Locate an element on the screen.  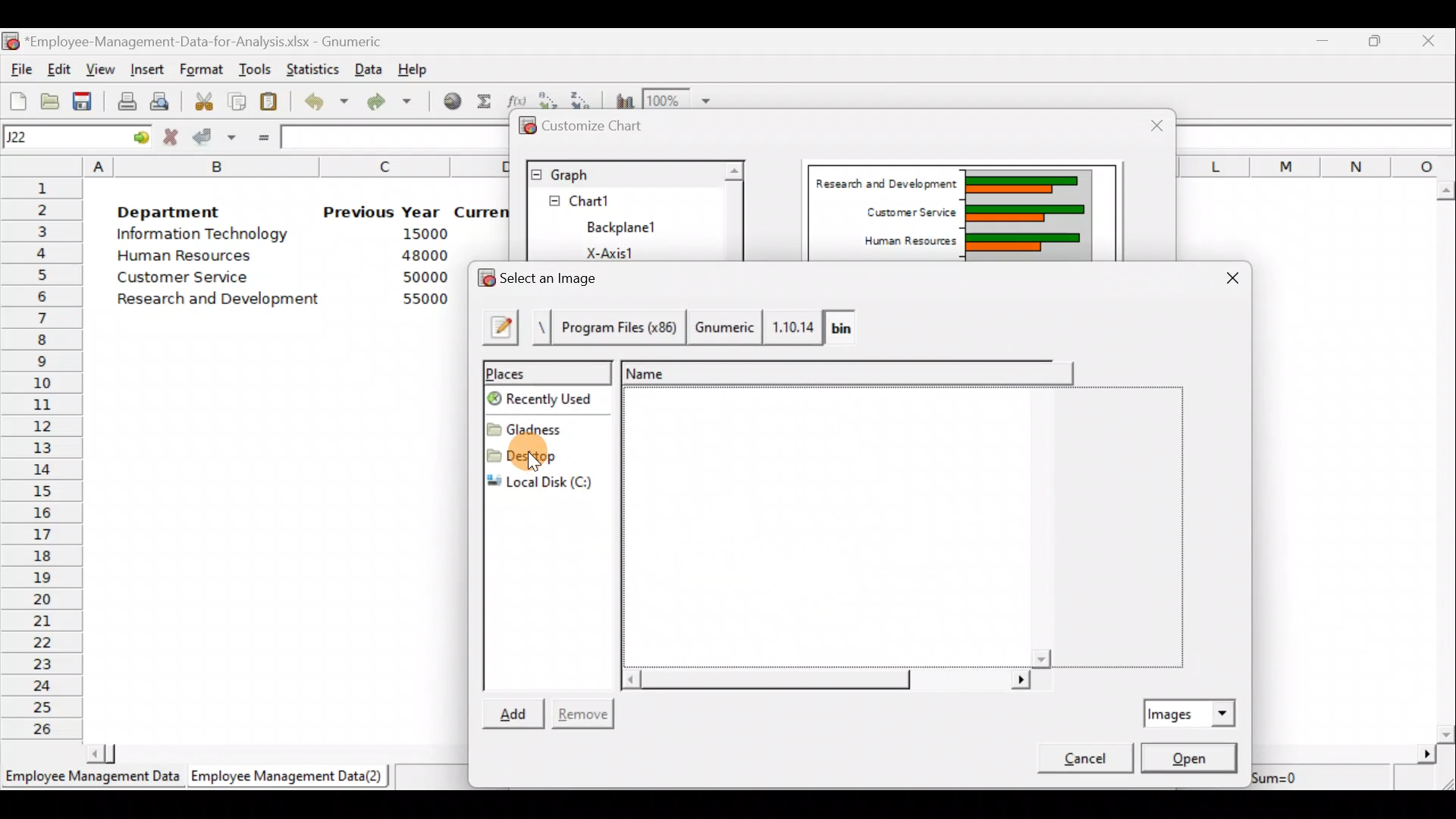
50000 is located at coordinates (422, 277).